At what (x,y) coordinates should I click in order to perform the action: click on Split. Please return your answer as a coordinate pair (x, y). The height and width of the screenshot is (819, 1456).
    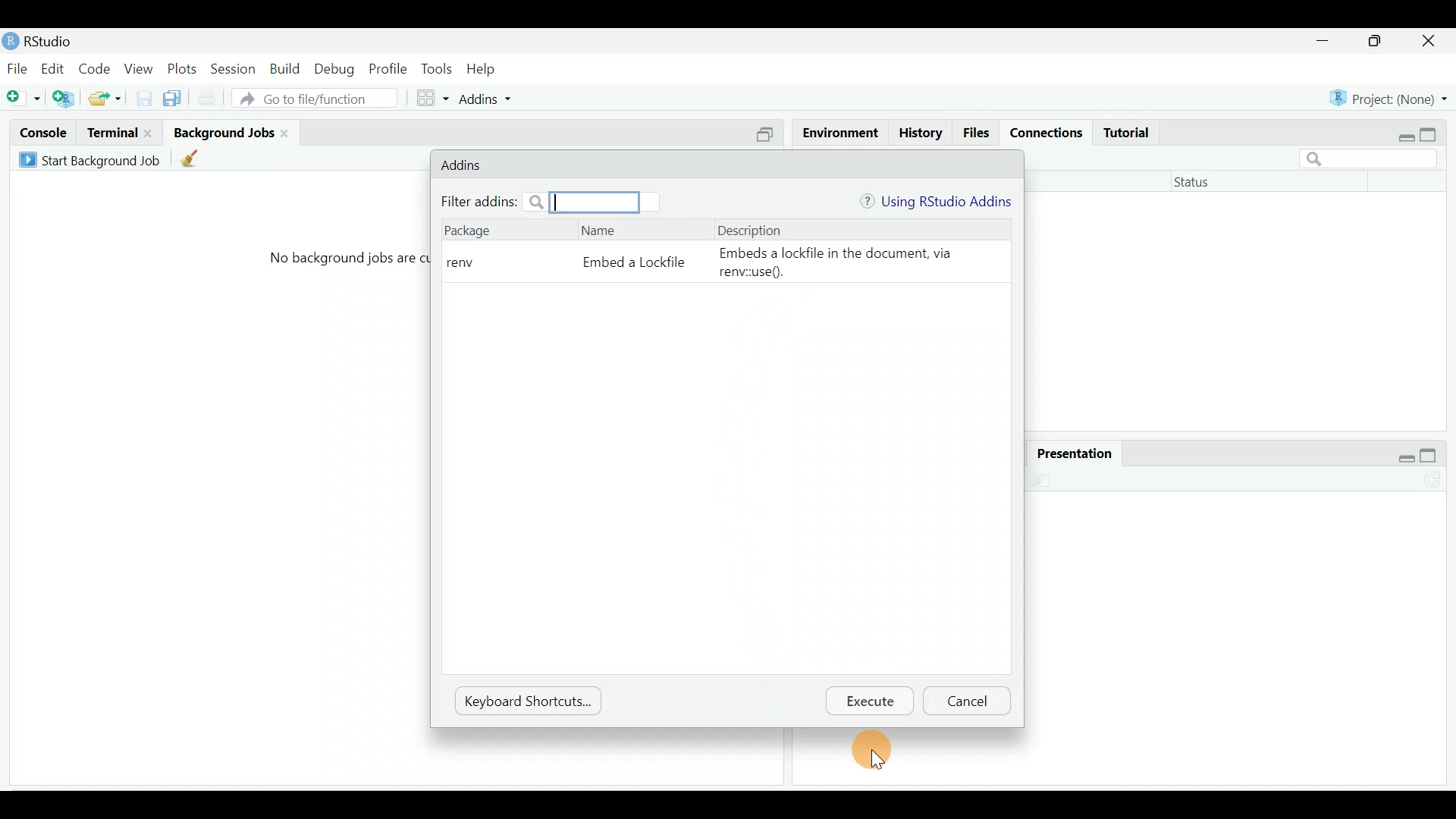
    Looking at the image, I should click on (769, 135).